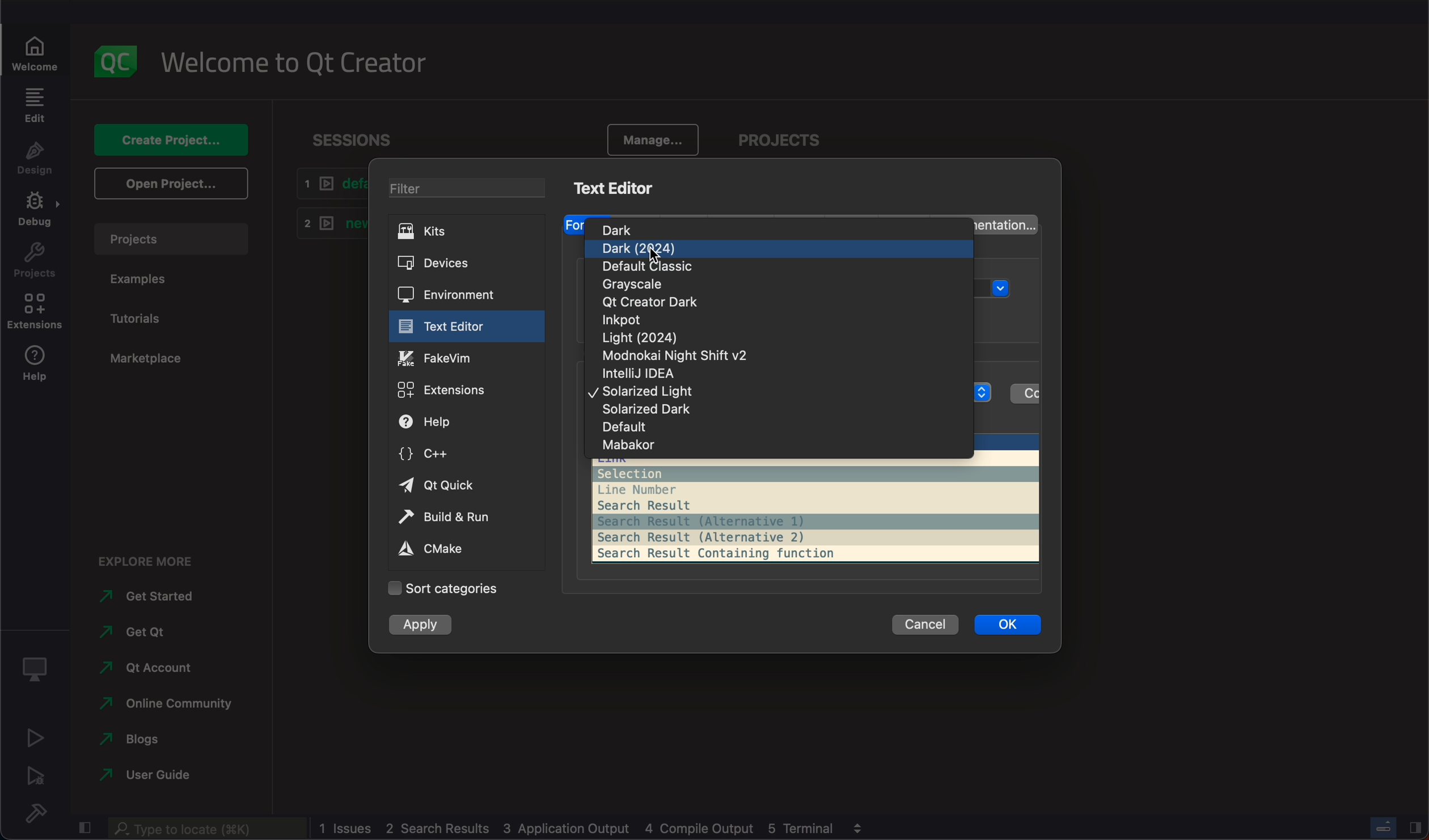  Describe the element at coordinates (34, 313) in the screenshot. I see `extension` at that location.